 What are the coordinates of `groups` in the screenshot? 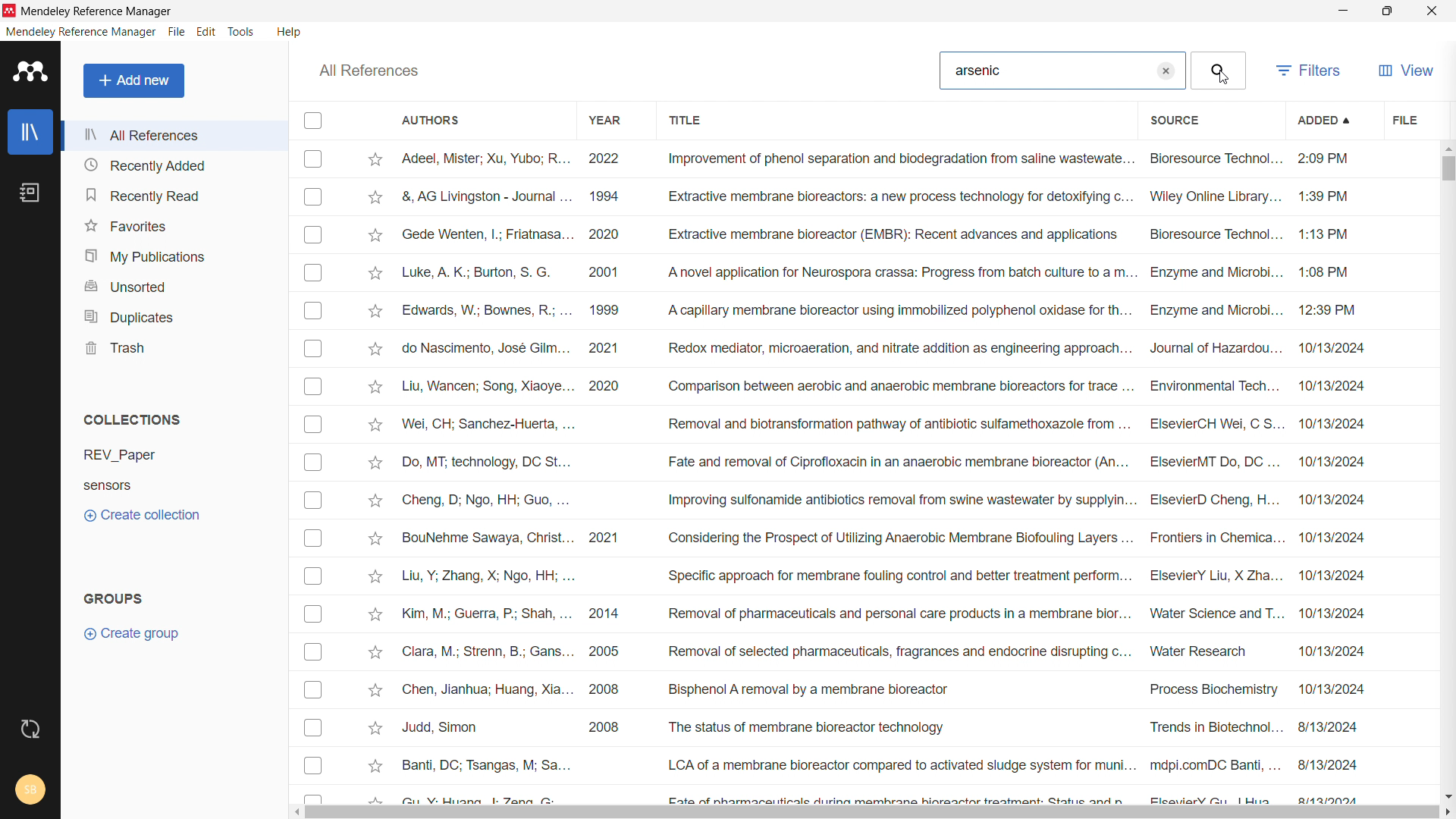 It's located at (114, 598).